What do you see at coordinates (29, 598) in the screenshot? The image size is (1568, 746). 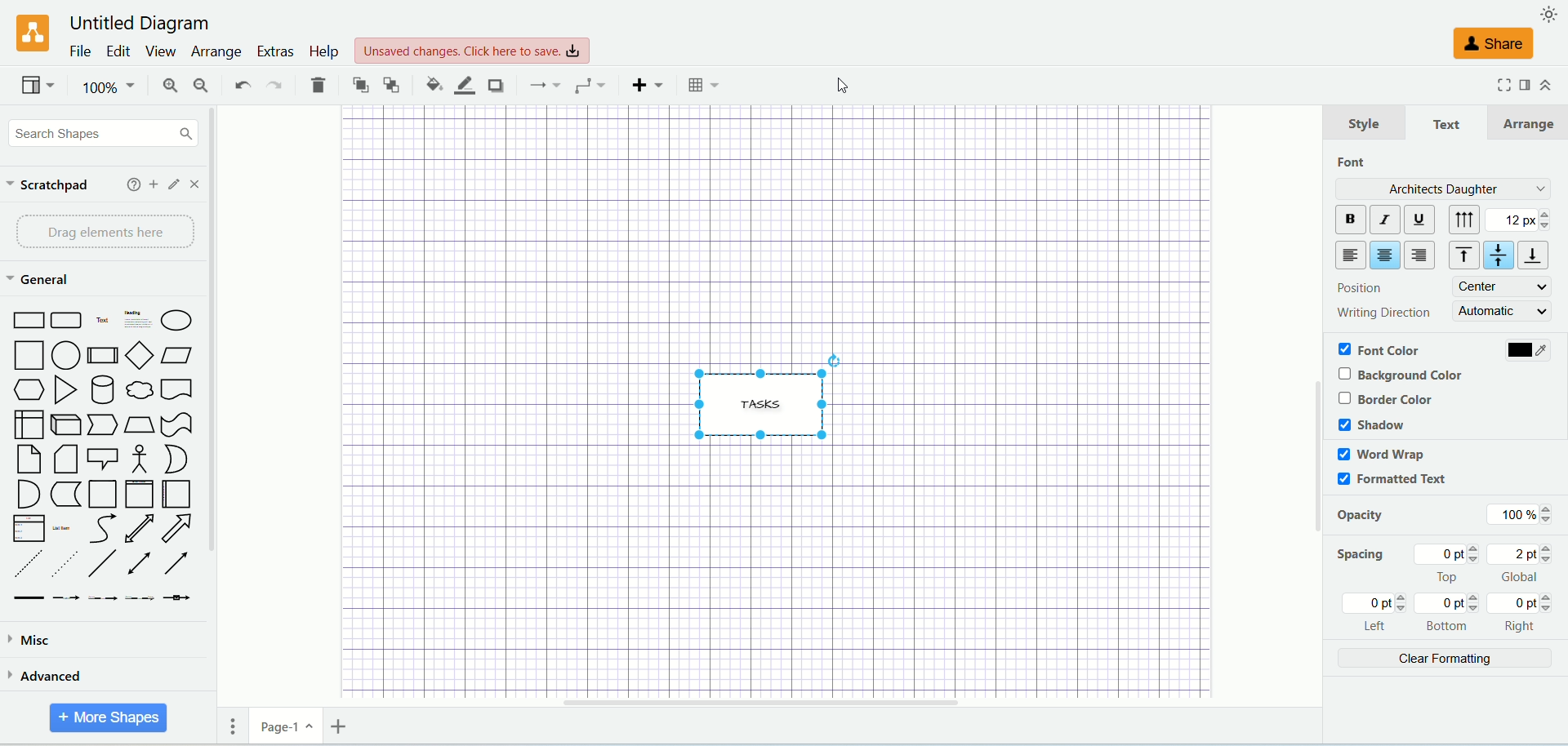 I see `Link` at bounding box center [29, 598].